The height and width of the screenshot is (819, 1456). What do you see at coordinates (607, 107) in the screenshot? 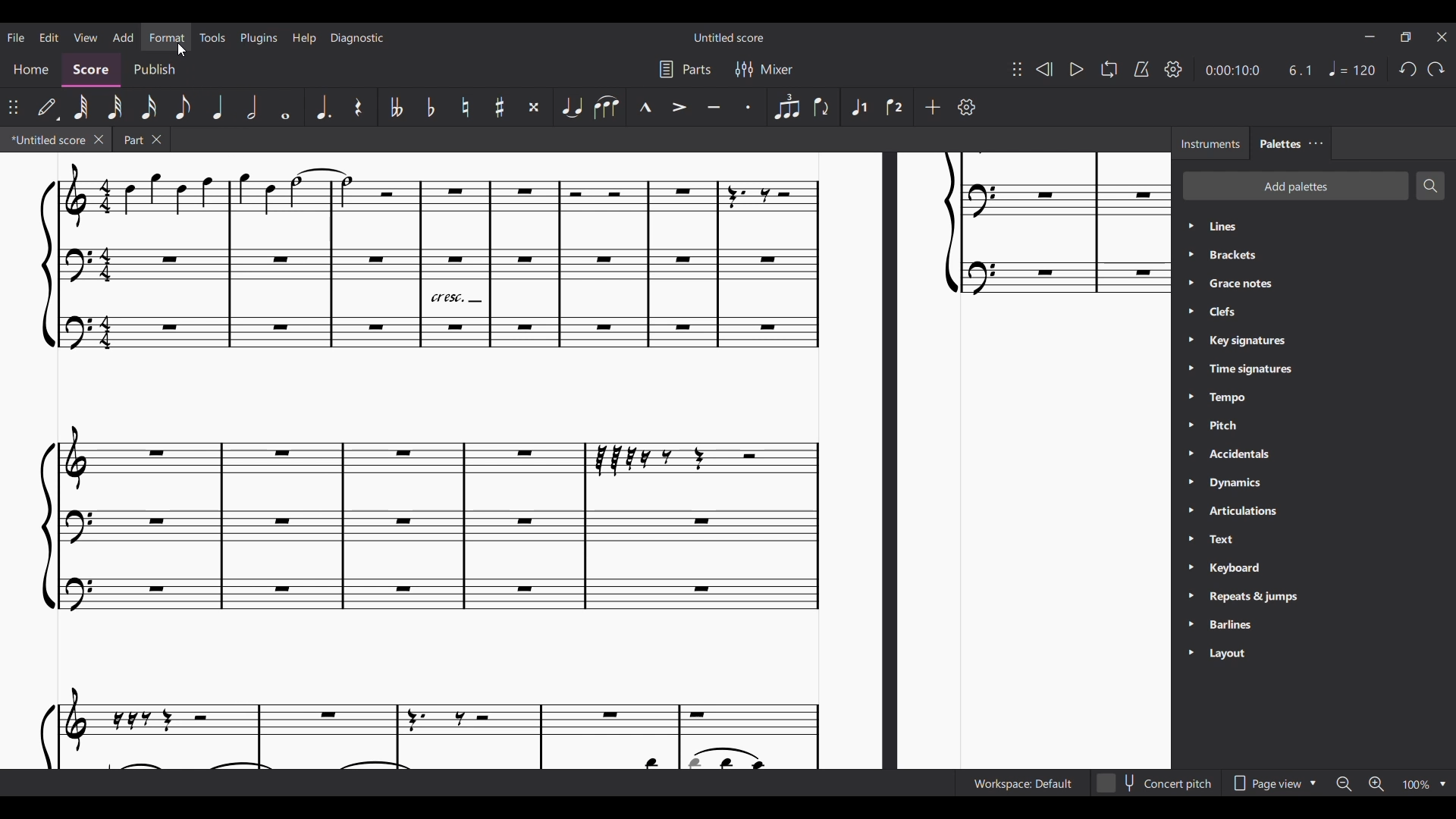
I see `Slur` at bounding box center [607, 107].